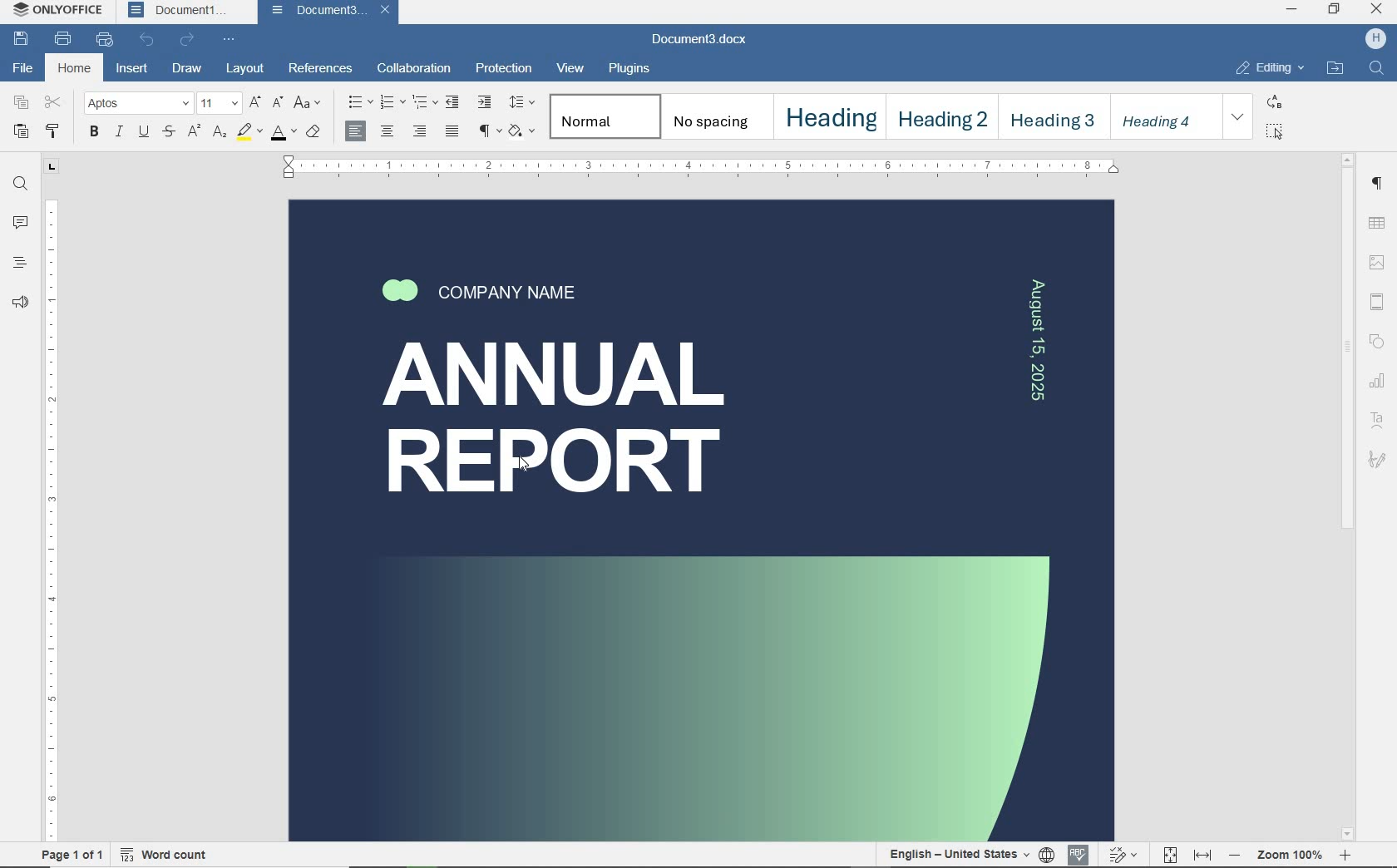  I want to click on draw, so click(187, 69).